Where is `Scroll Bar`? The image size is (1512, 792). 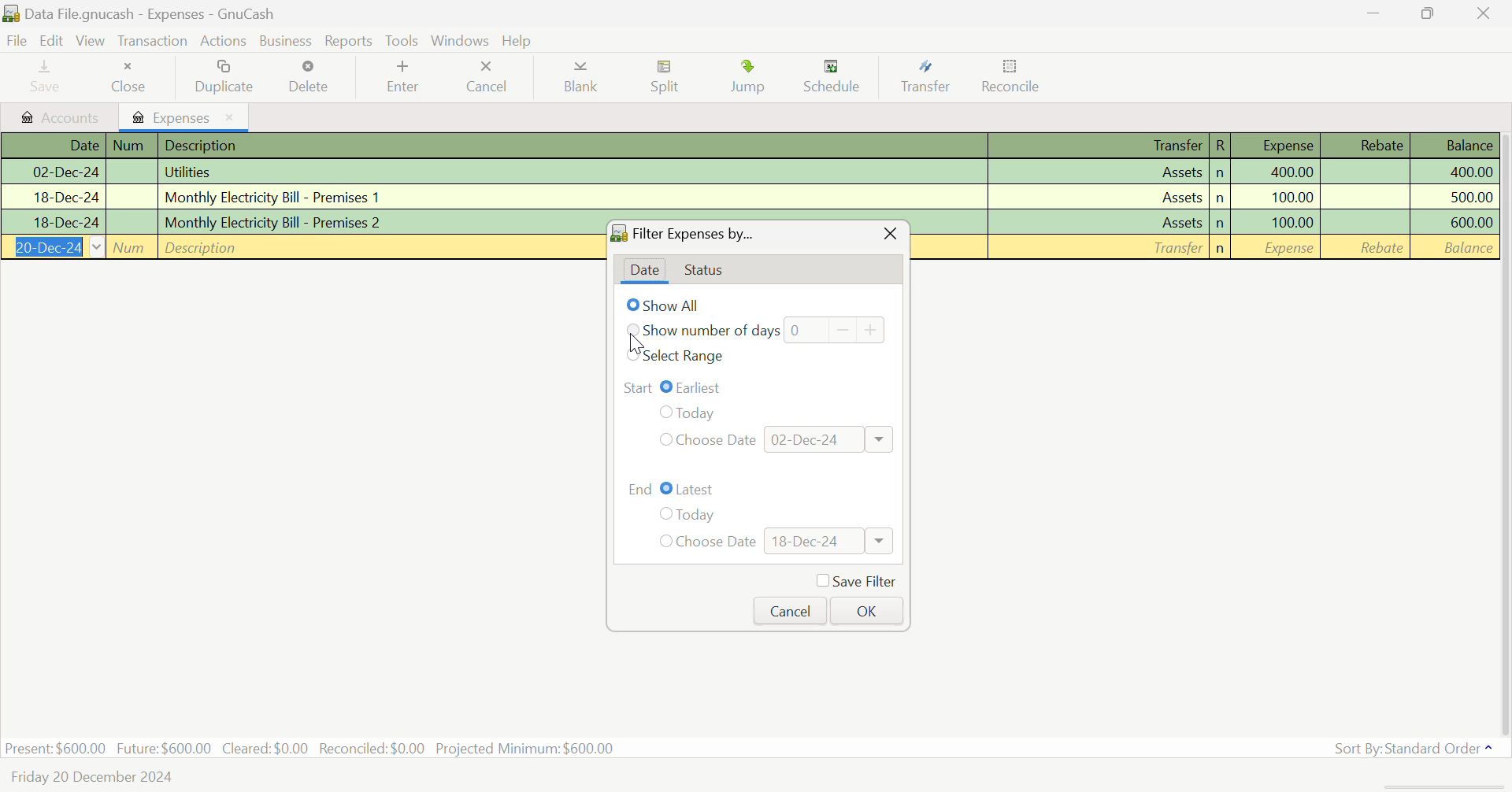
Scroll Bar is located at coordinates (1503, 433).